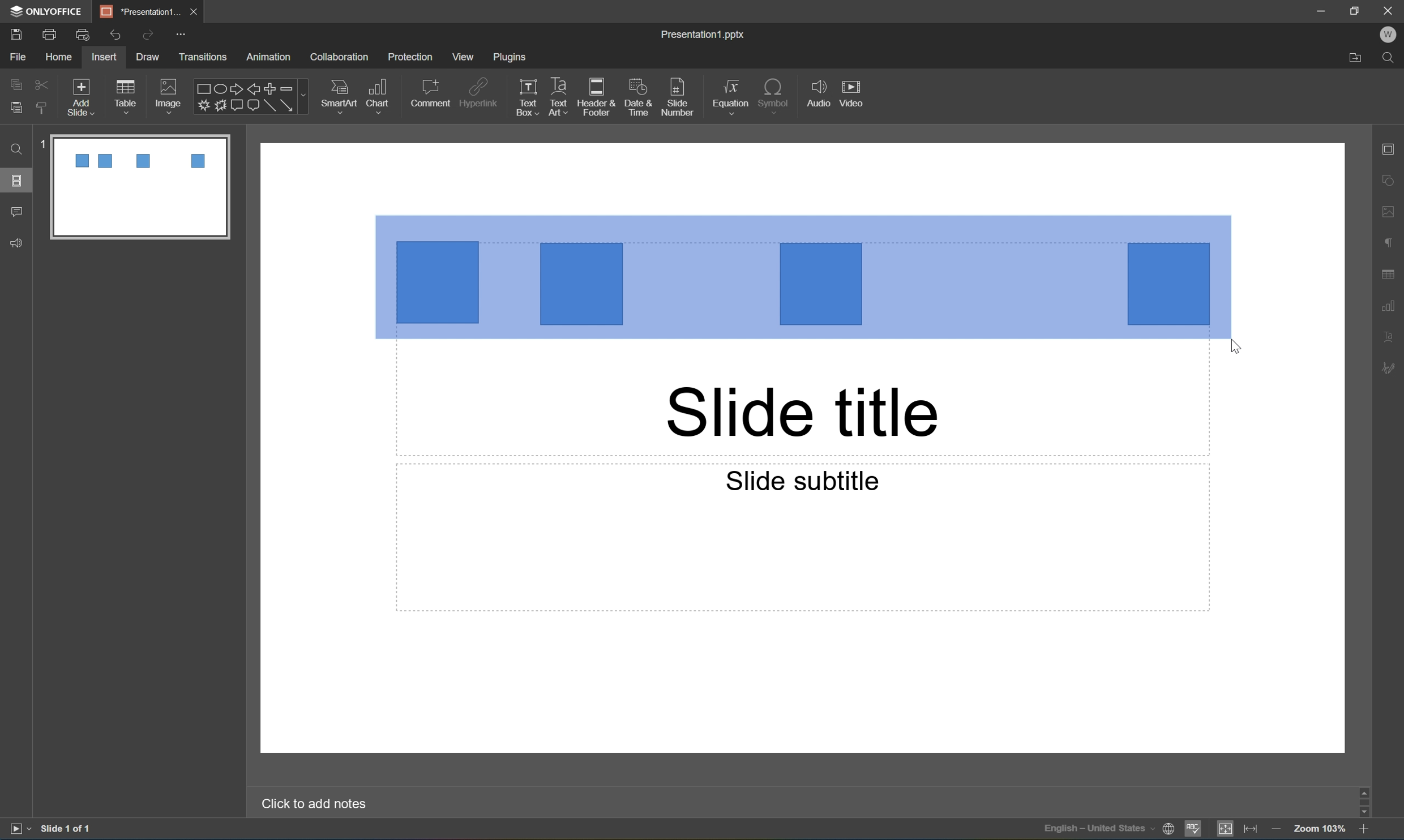  What do you see at coordinates (83, 33) in the screenshot?
I see `quick print` at bounding box center [83, 33].